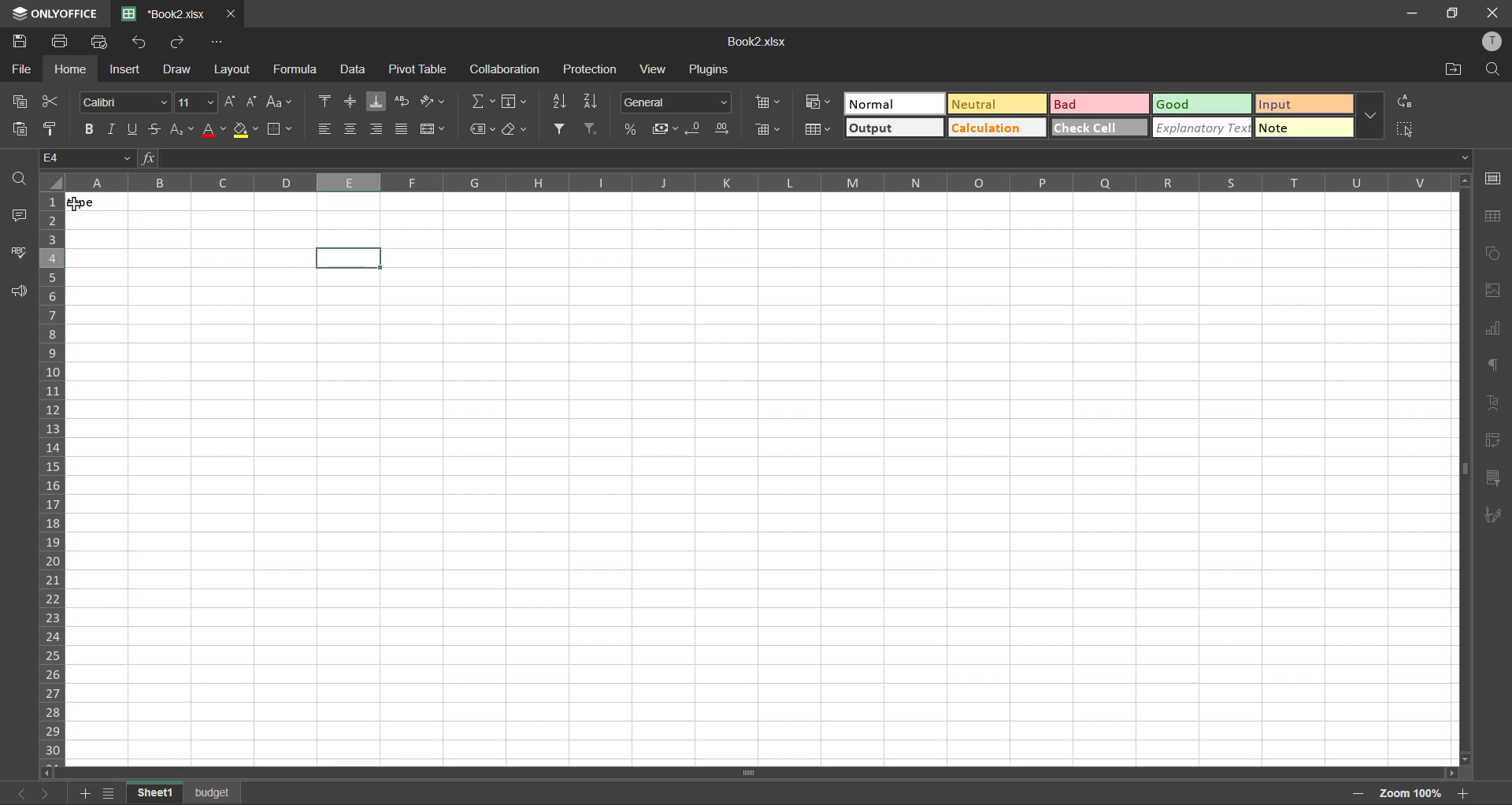 The image size is (1512, 805). What do you see at coordinates (559, 104) in the screenshot?
I see `sort ascending` at bounding box center [559, 104].